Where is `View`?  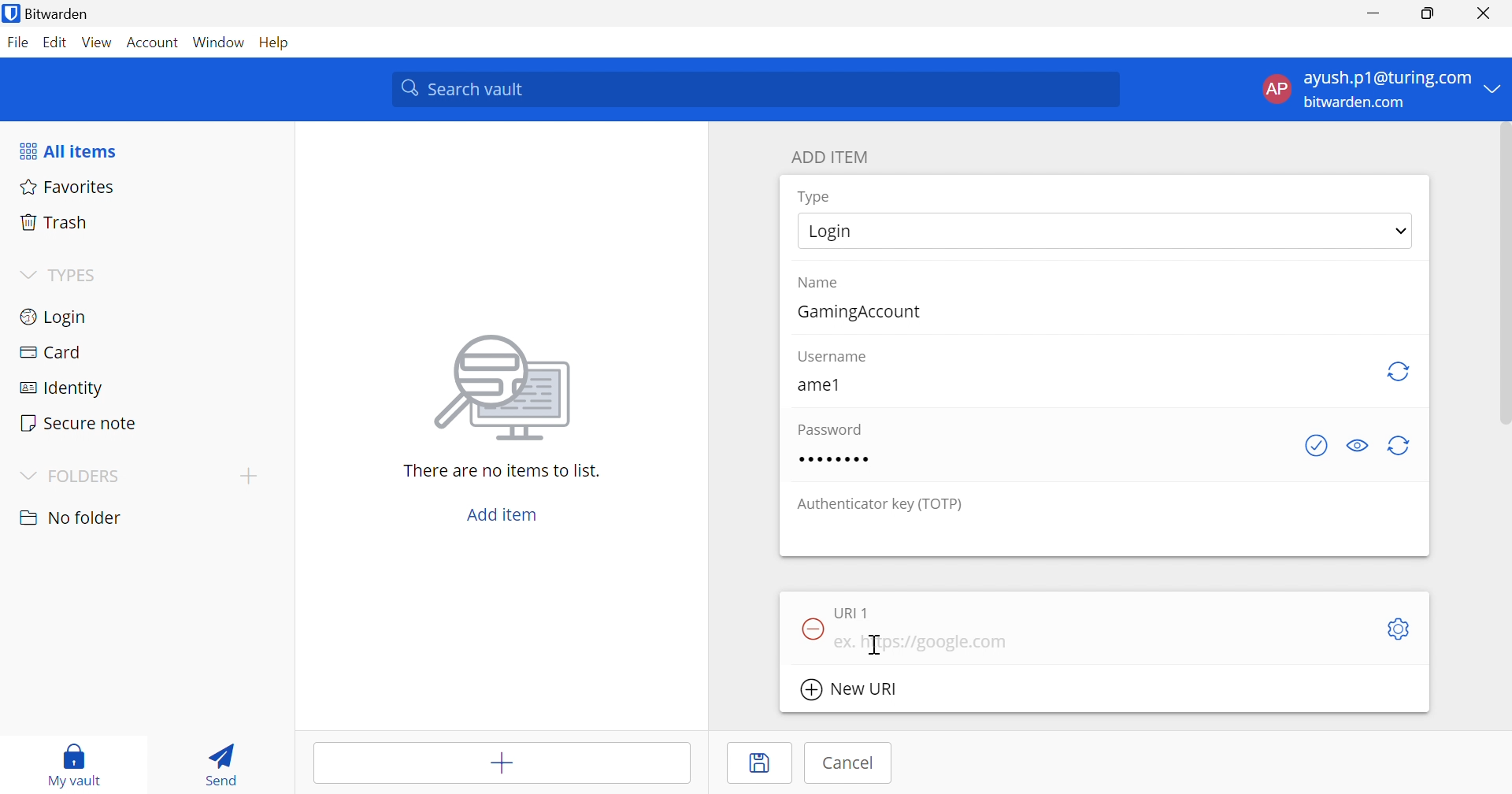 View is located at coordinates (100, 43).